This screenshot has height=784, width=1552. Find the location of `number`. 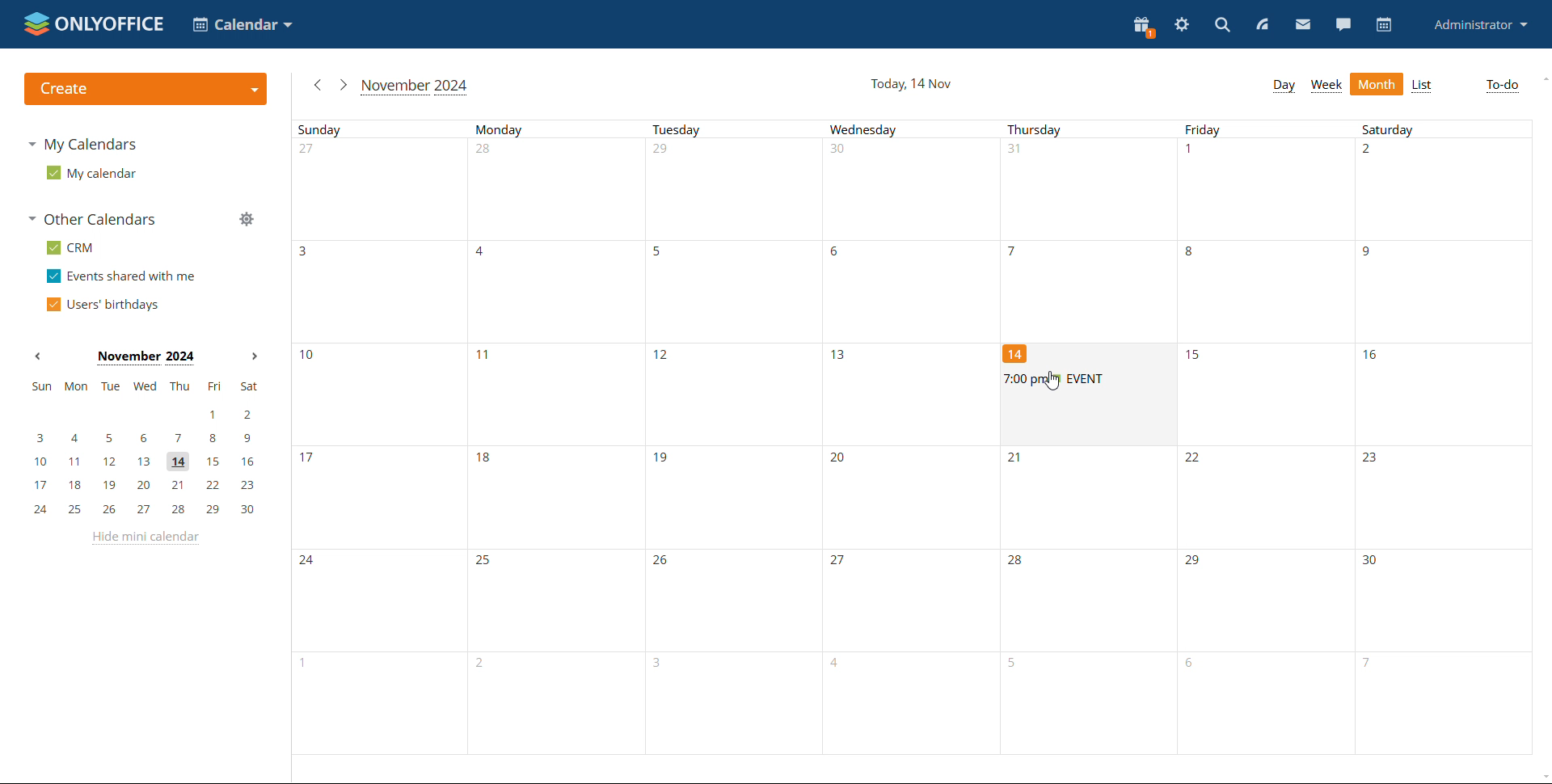

number is located at coordinates (666, 152).